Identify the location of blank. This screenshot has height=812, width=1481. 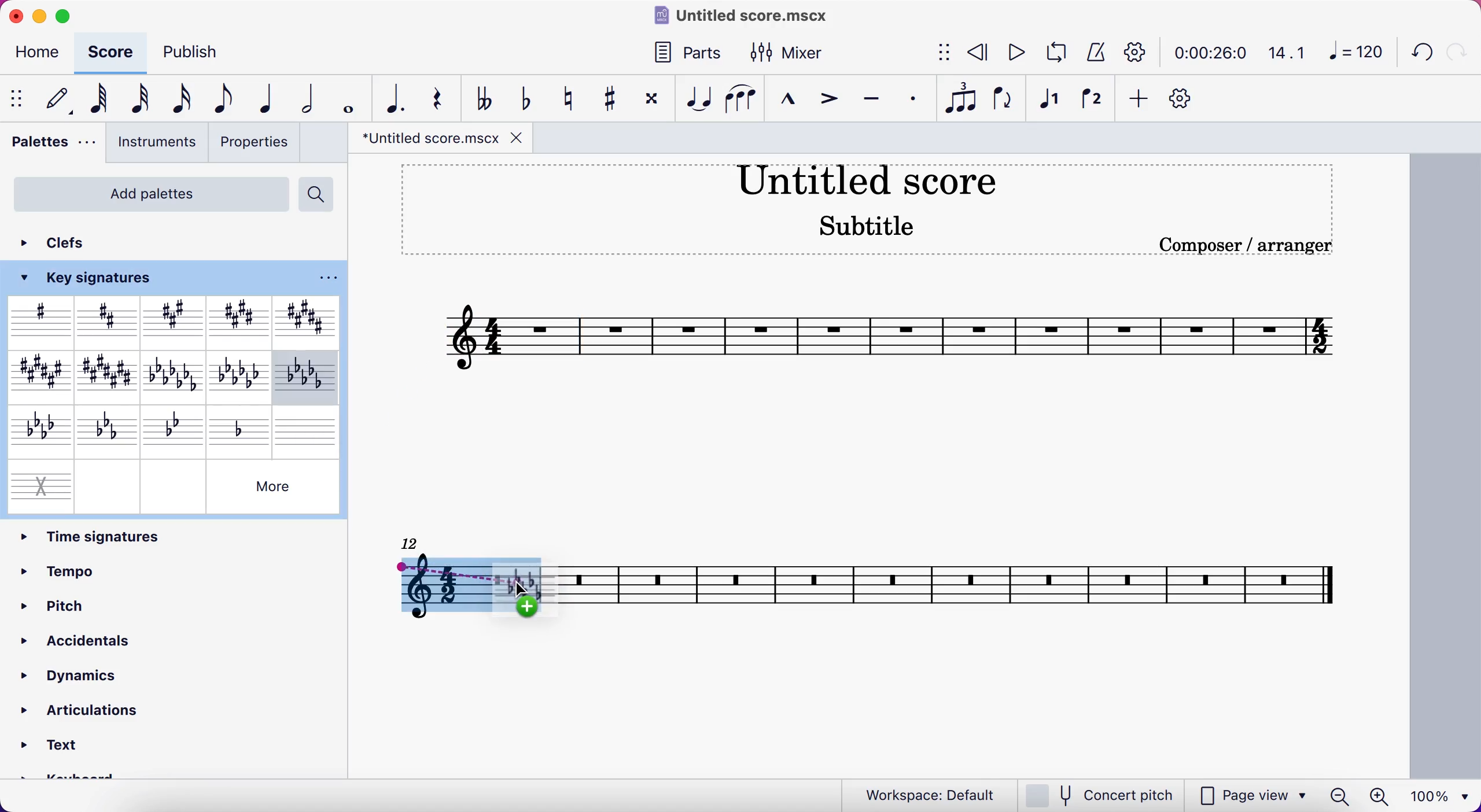
(308, 429).